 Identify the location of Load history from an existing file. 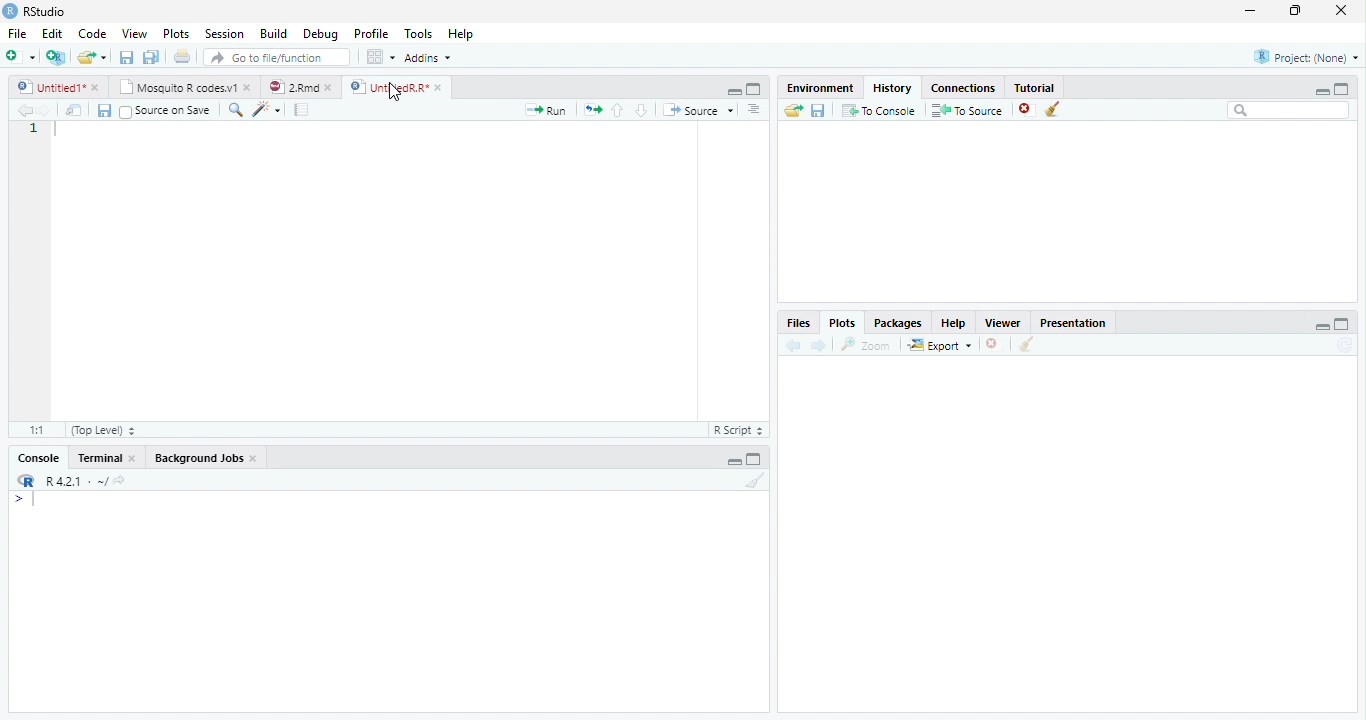
(792, 111).